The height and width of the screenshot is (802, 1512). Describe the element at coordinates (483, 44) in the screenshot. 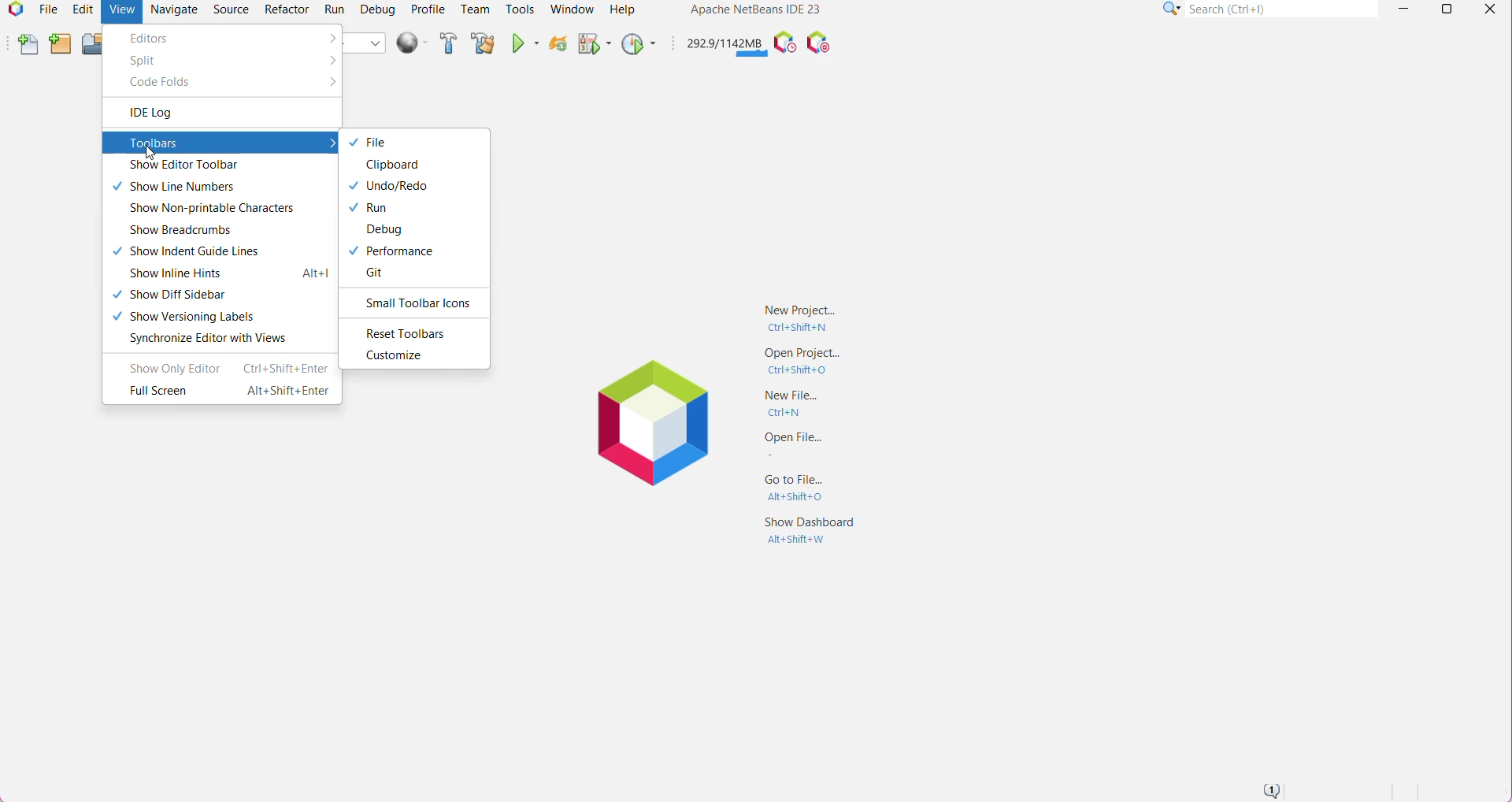

I see `Clean and Build Main Project` at that location.